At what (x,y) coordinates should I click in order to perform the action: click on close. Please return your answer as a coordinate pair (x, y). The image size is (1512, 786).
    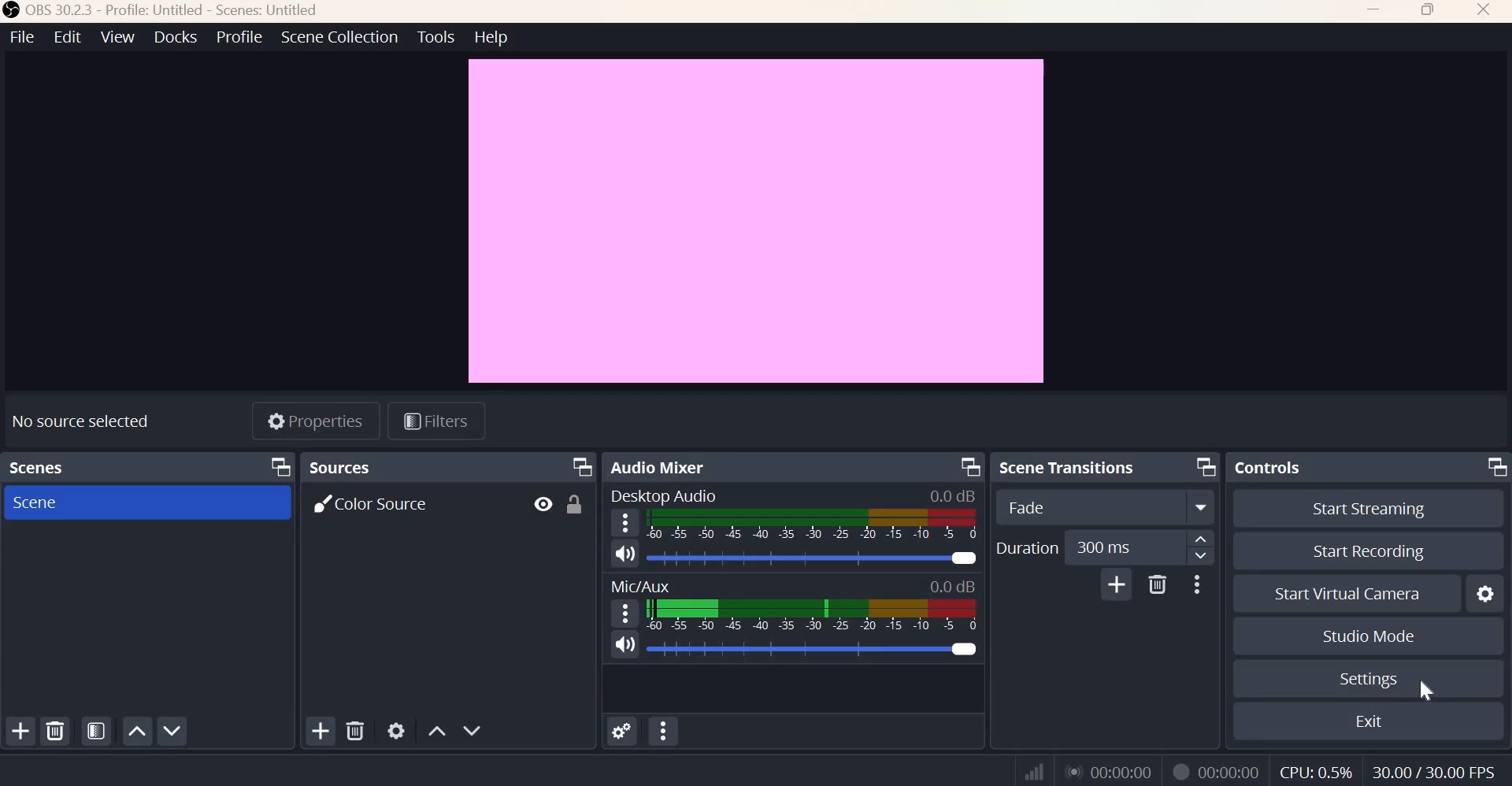
    Looking at the image, I should click on (1483, 11).